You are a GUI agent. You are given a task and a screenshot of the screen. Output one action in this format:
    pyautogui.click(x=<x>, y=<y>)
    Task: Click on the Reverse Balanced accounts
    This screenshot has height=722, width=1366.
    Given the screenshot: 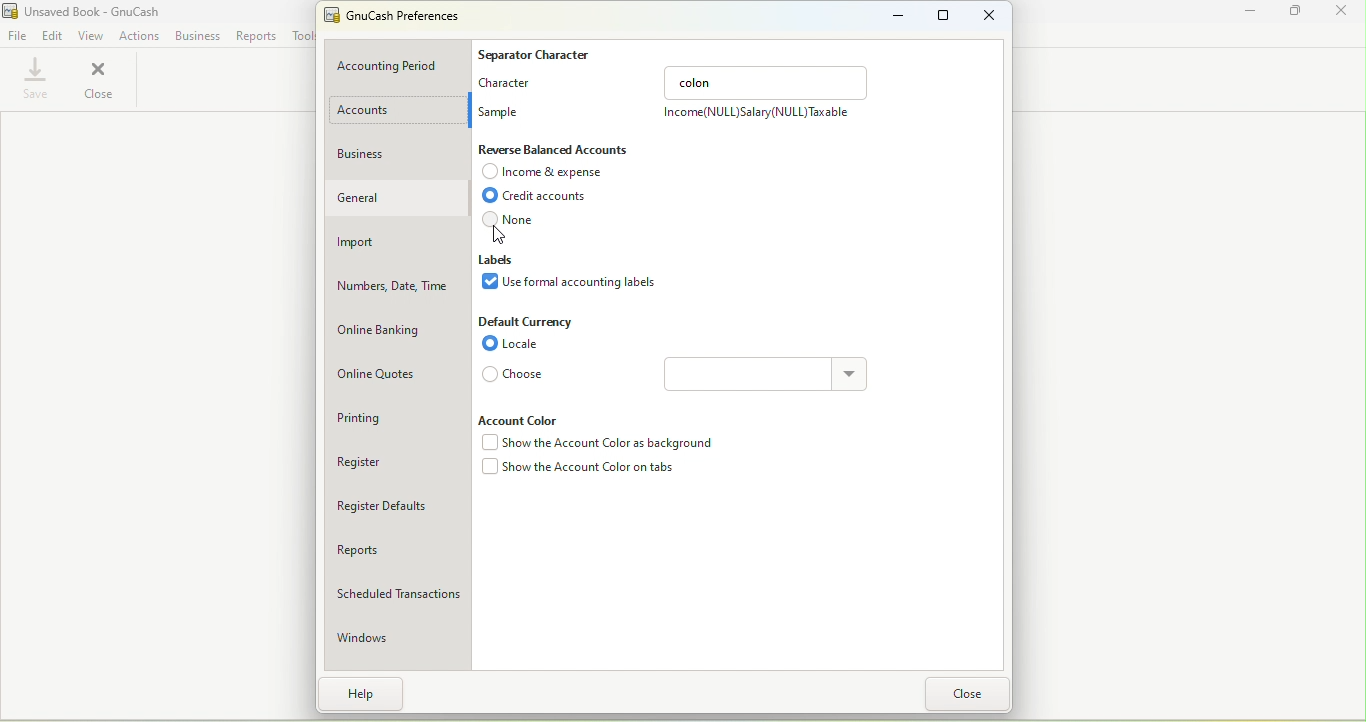 What is the action you would take?
    pyautogui.click(x=570, y=149)
    